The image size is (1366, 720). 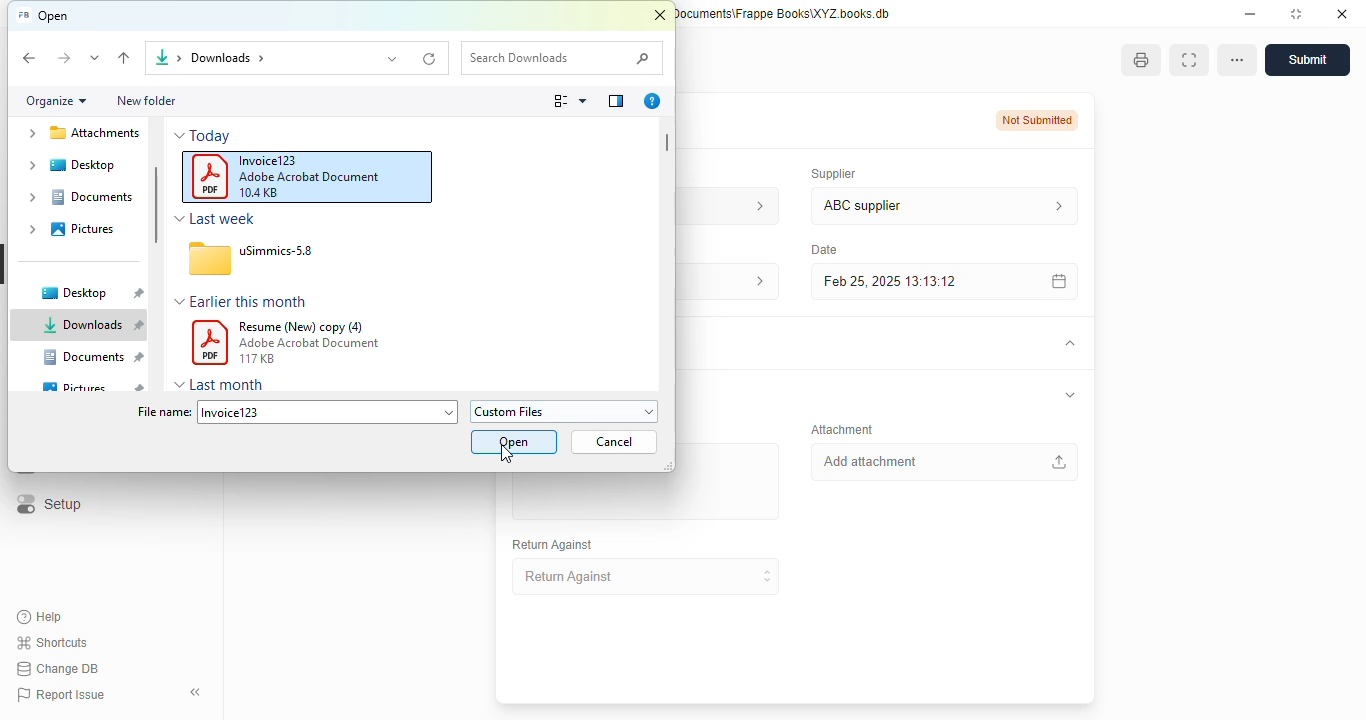 I want to click on search downloads, so click(x=562, y=58).